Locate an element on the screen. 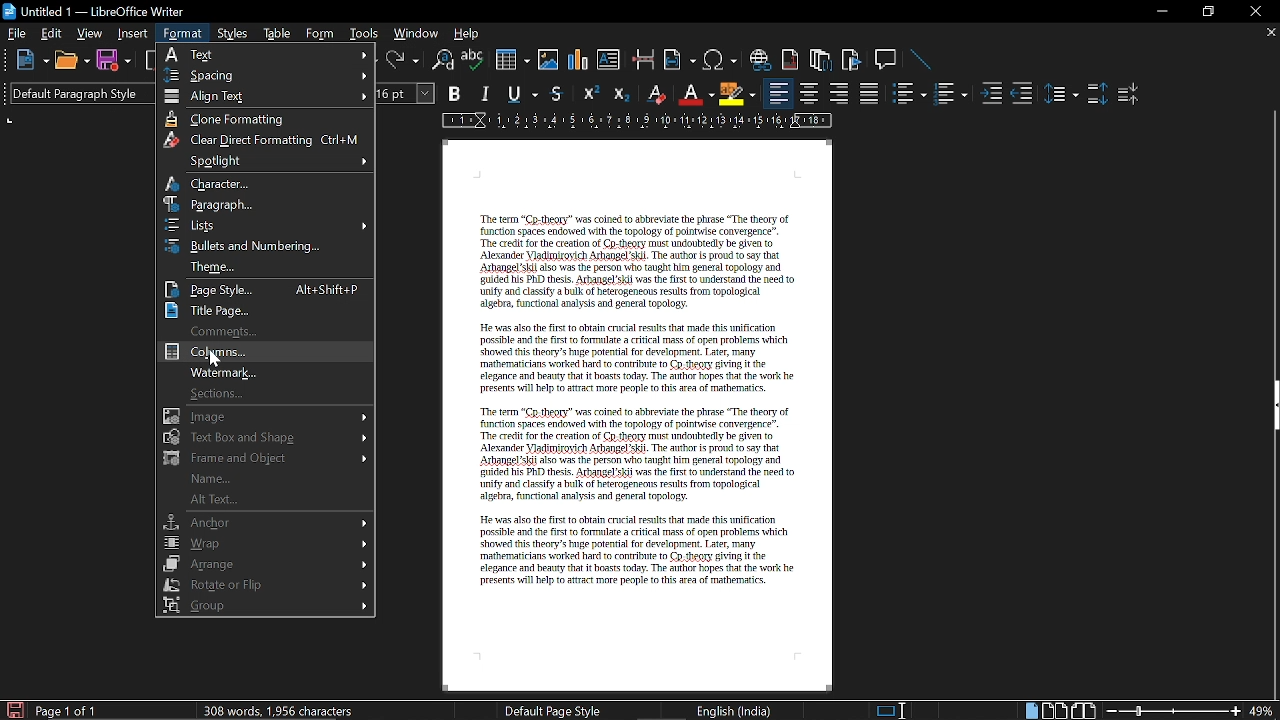  Book view is located at coordinates (1086, 708).